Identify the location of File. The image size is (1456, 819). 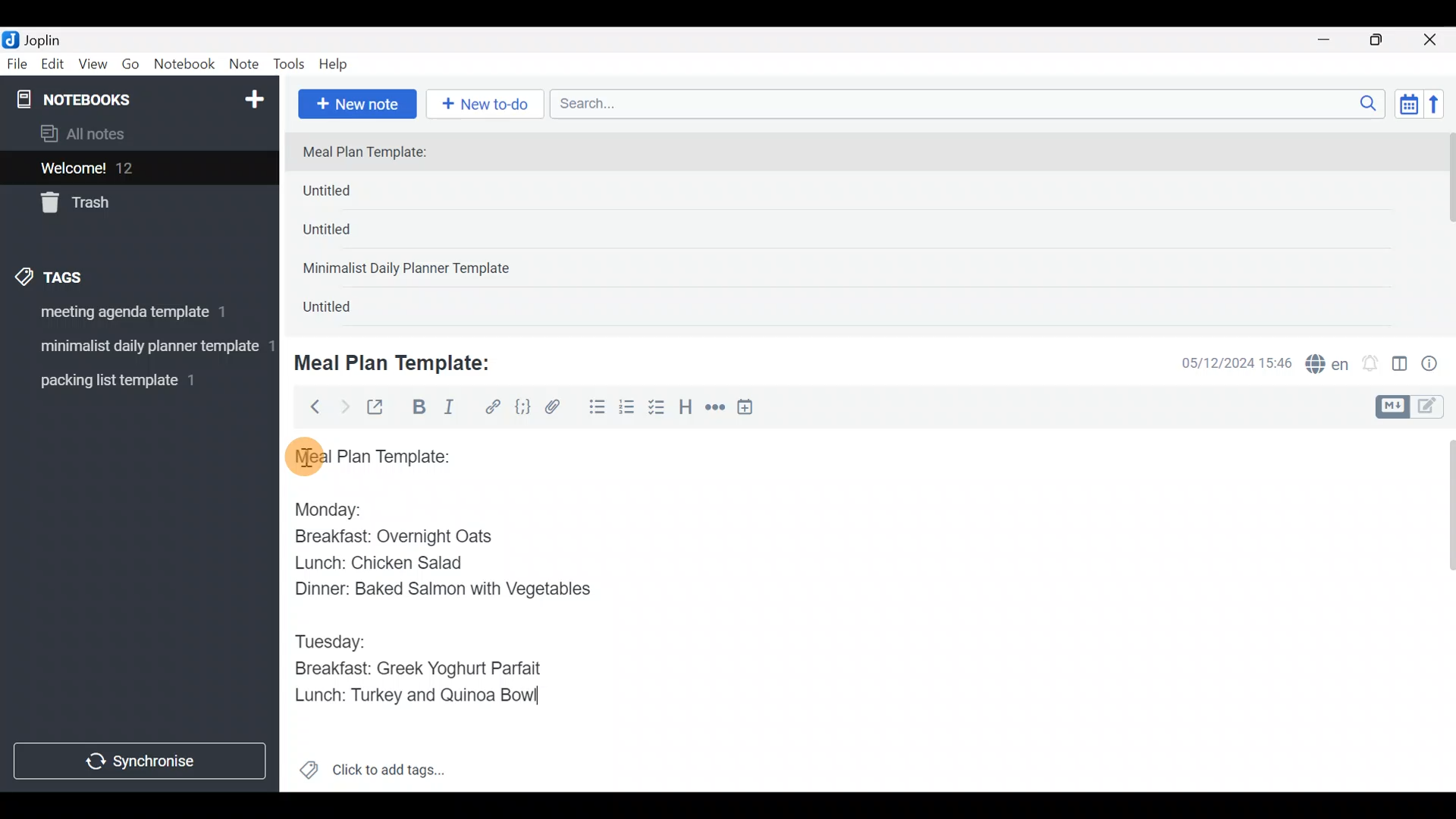
(18, 64).